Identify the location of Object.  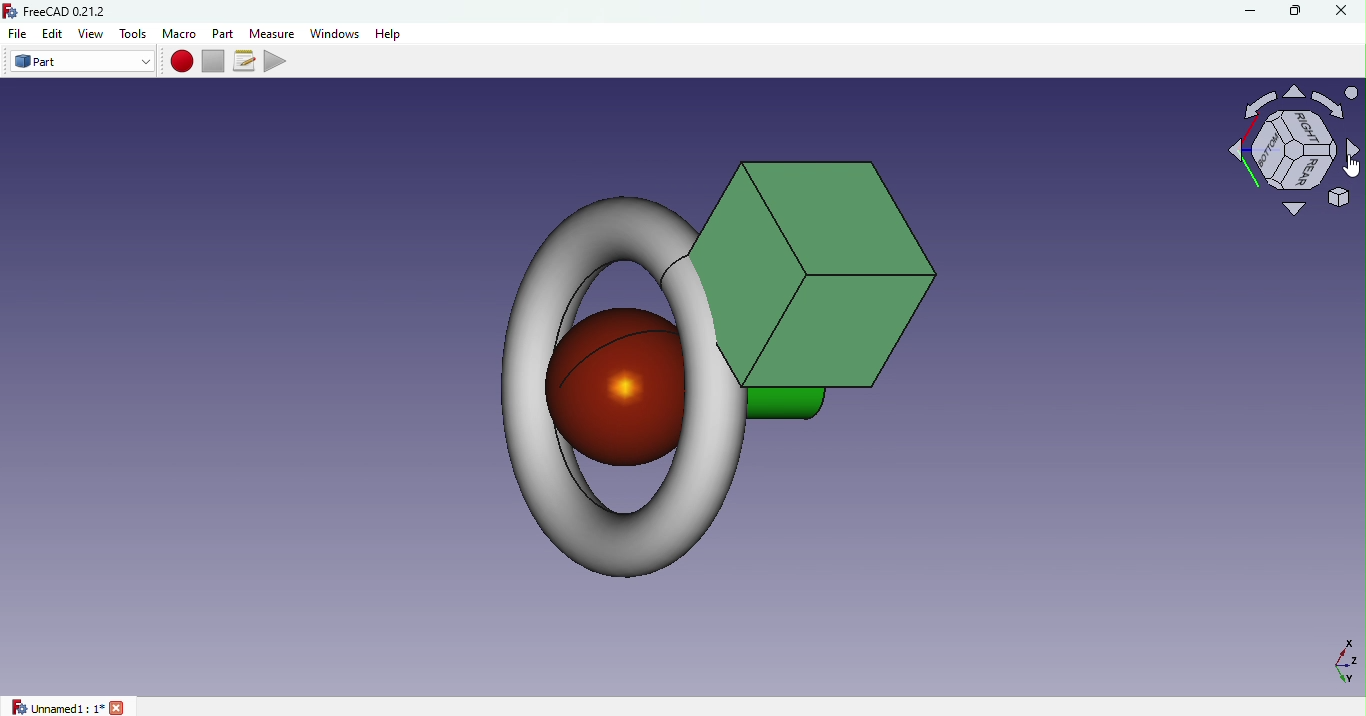
(712, 359).